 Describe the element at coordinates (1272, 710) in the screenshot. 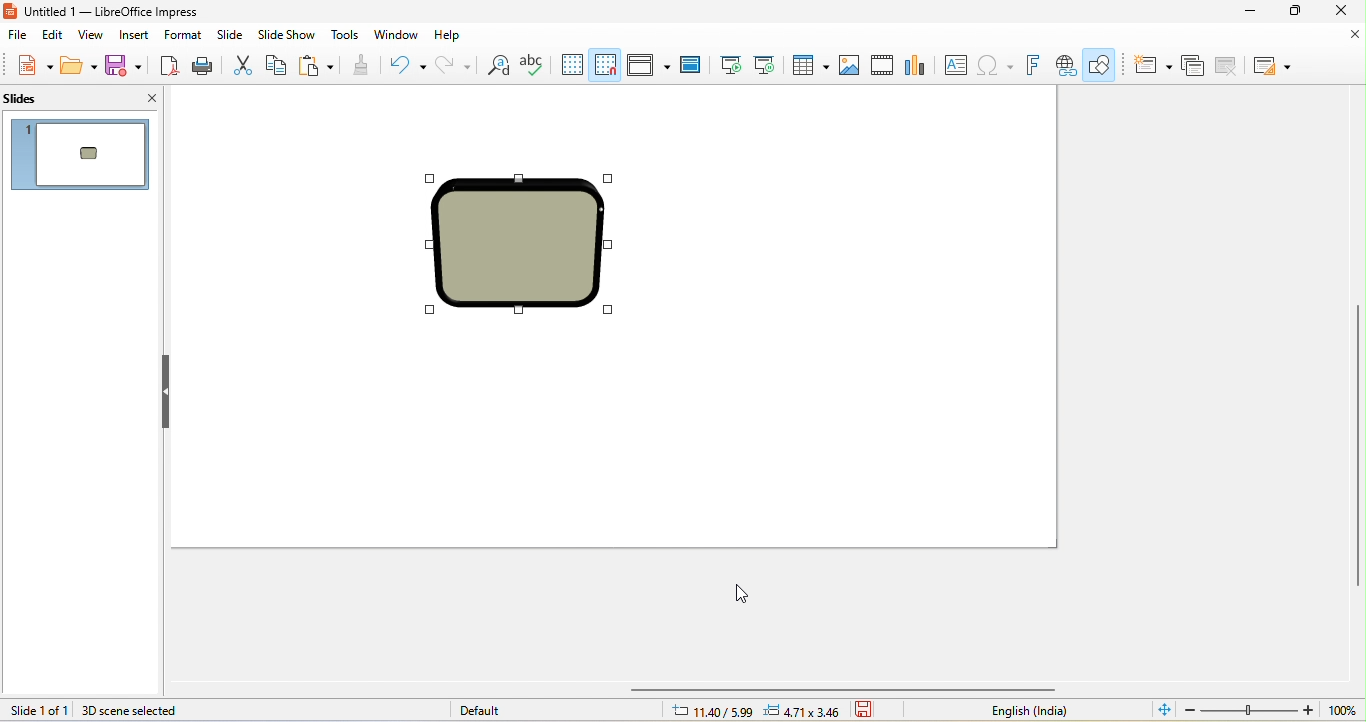

I see `zoom` at that location.